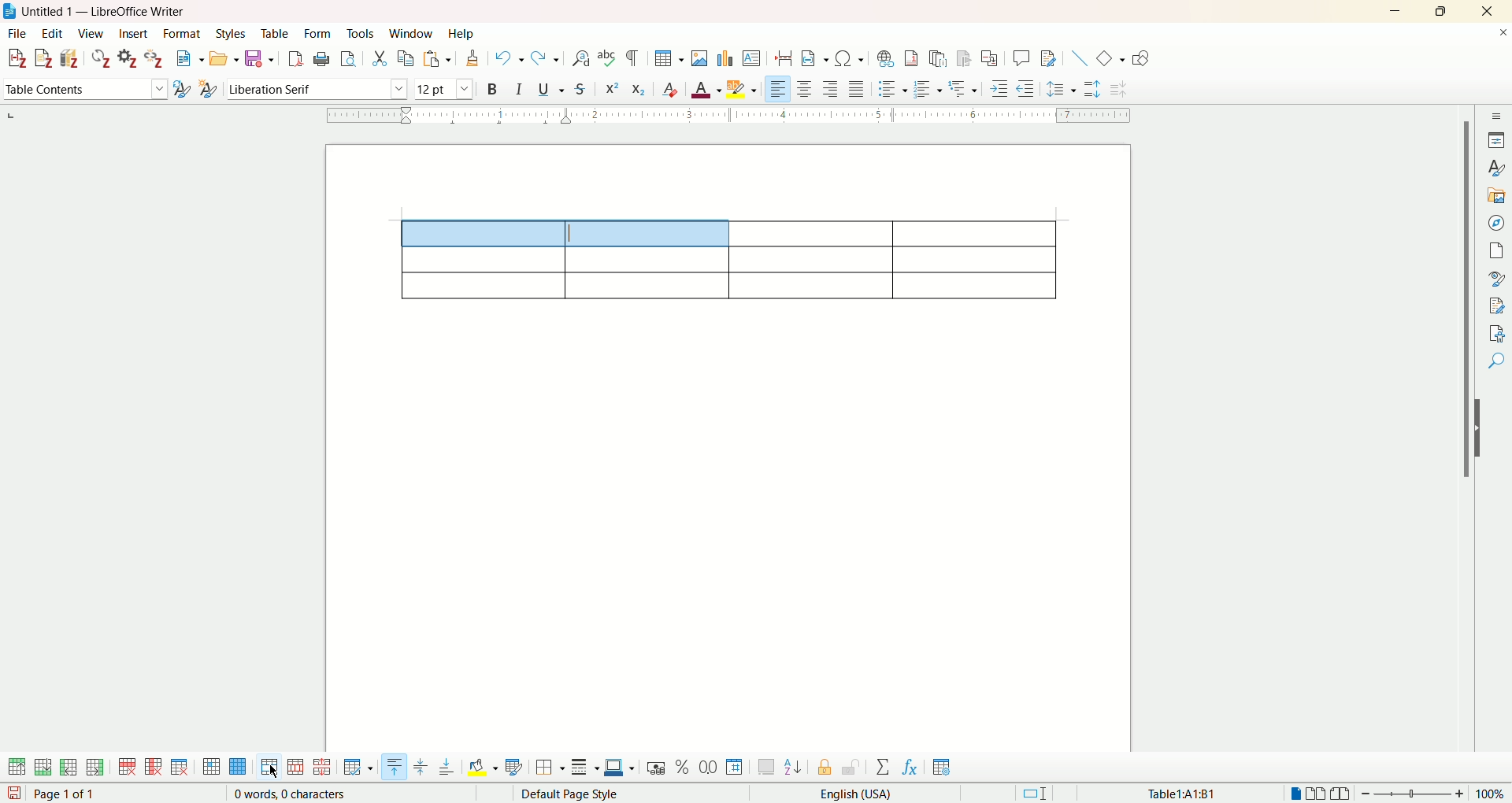  What do you see at coordinates (181, 35) in the screenshot?
I see `format` at bounding box center [181, 35].